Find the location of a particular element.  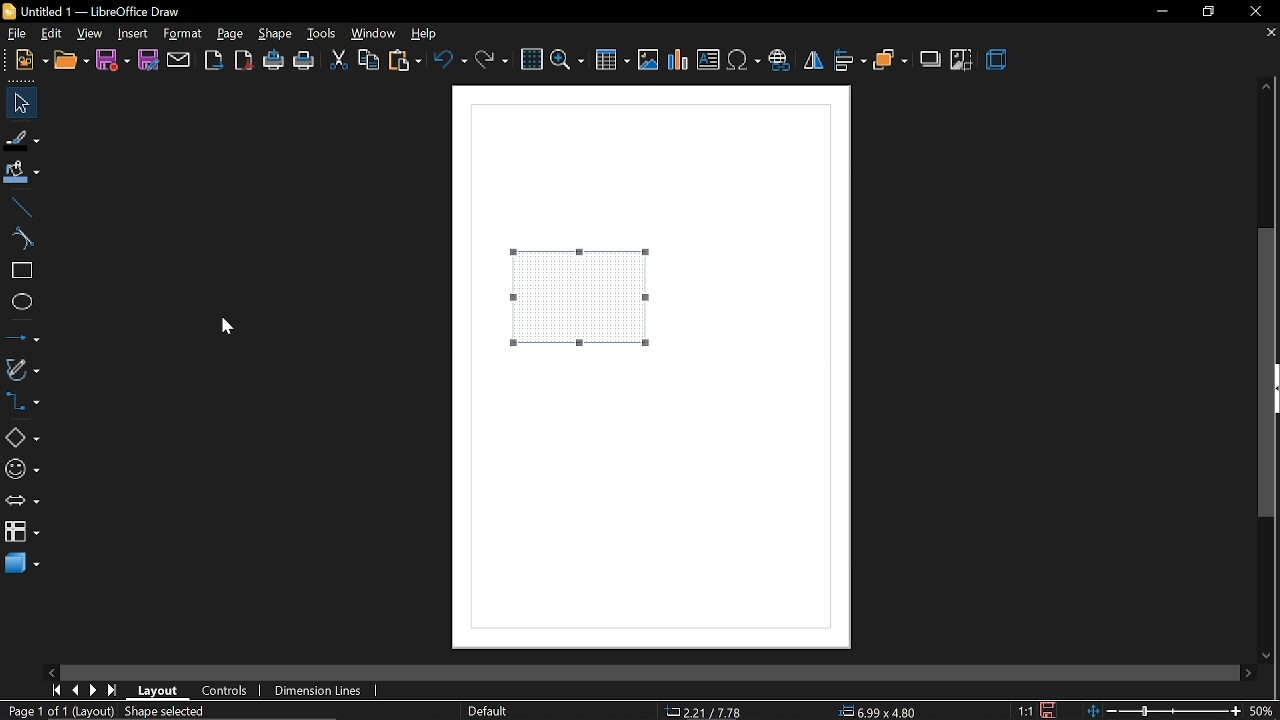

arrange is located at coordinates (890, 61).